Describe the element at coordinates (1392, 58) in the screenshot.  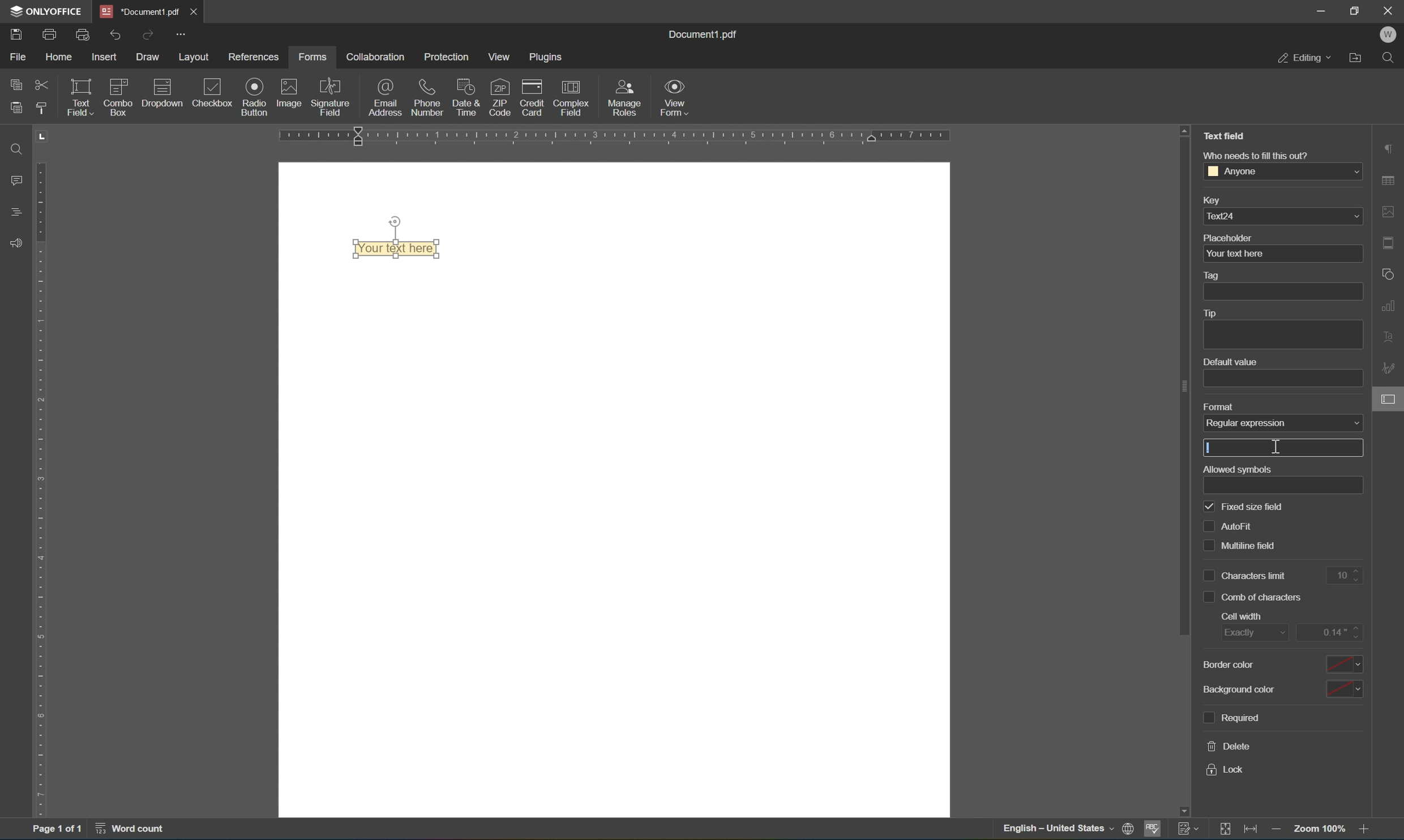
I see `find` at that location.